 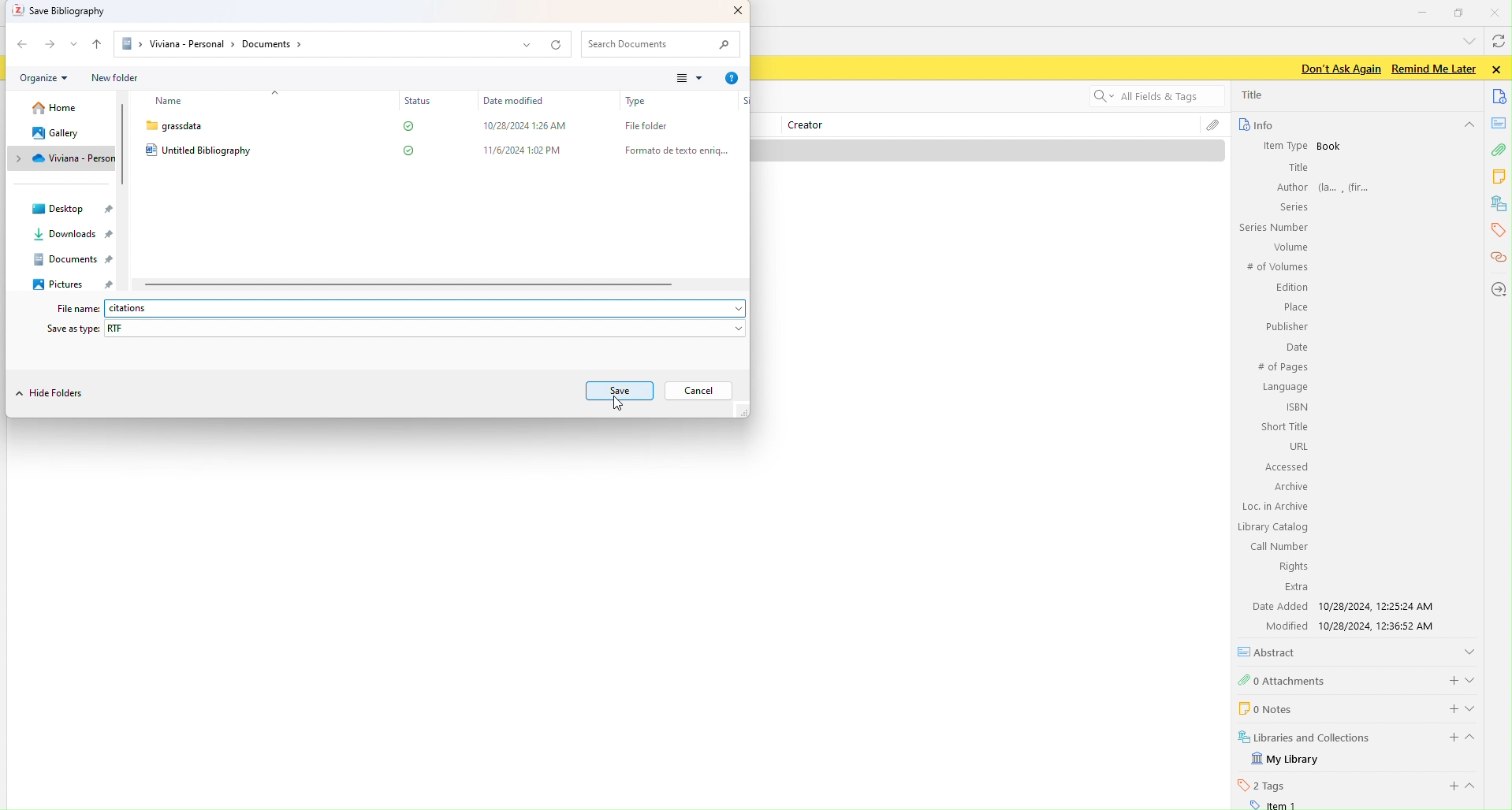 I want to click on show, so click(x=1476, y=708).